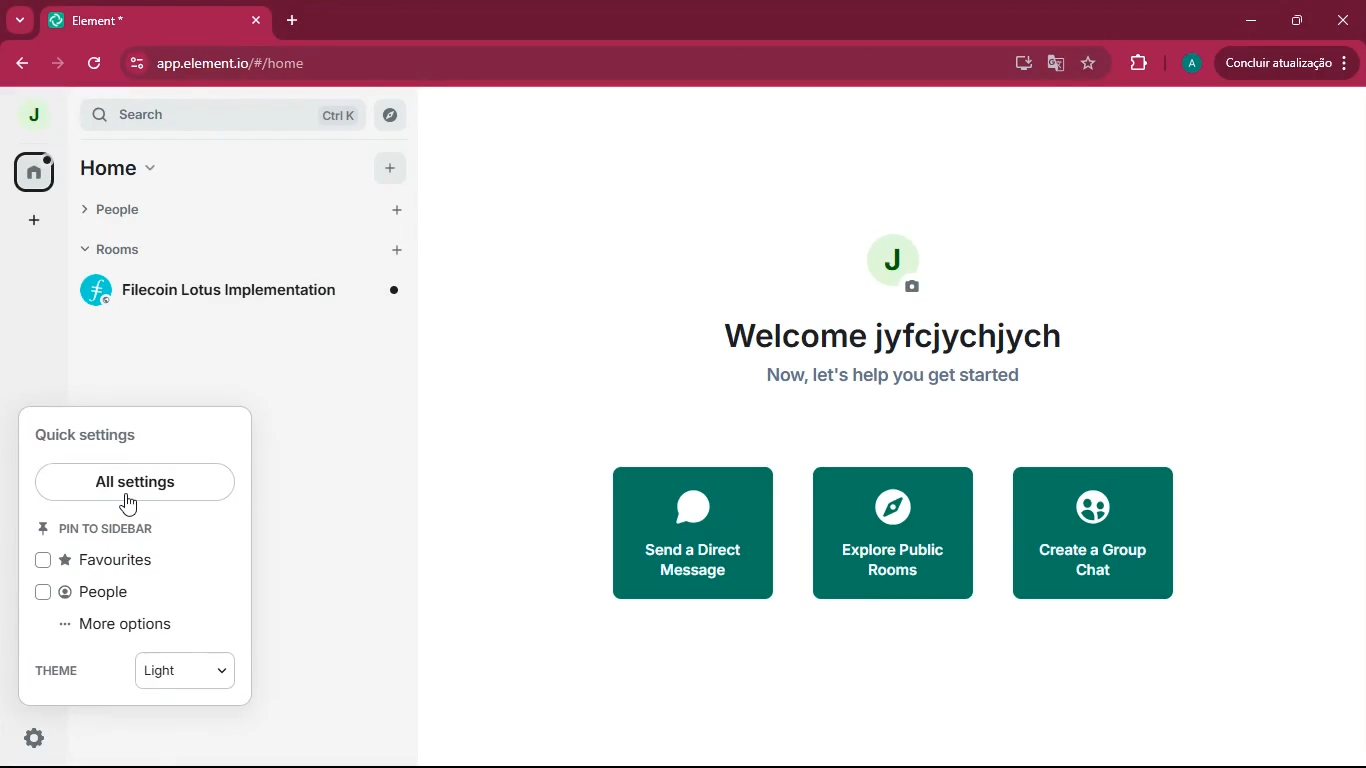 The width and height of the screenshot is (1366, 768). I want to click on rooms, so click(220, 251).